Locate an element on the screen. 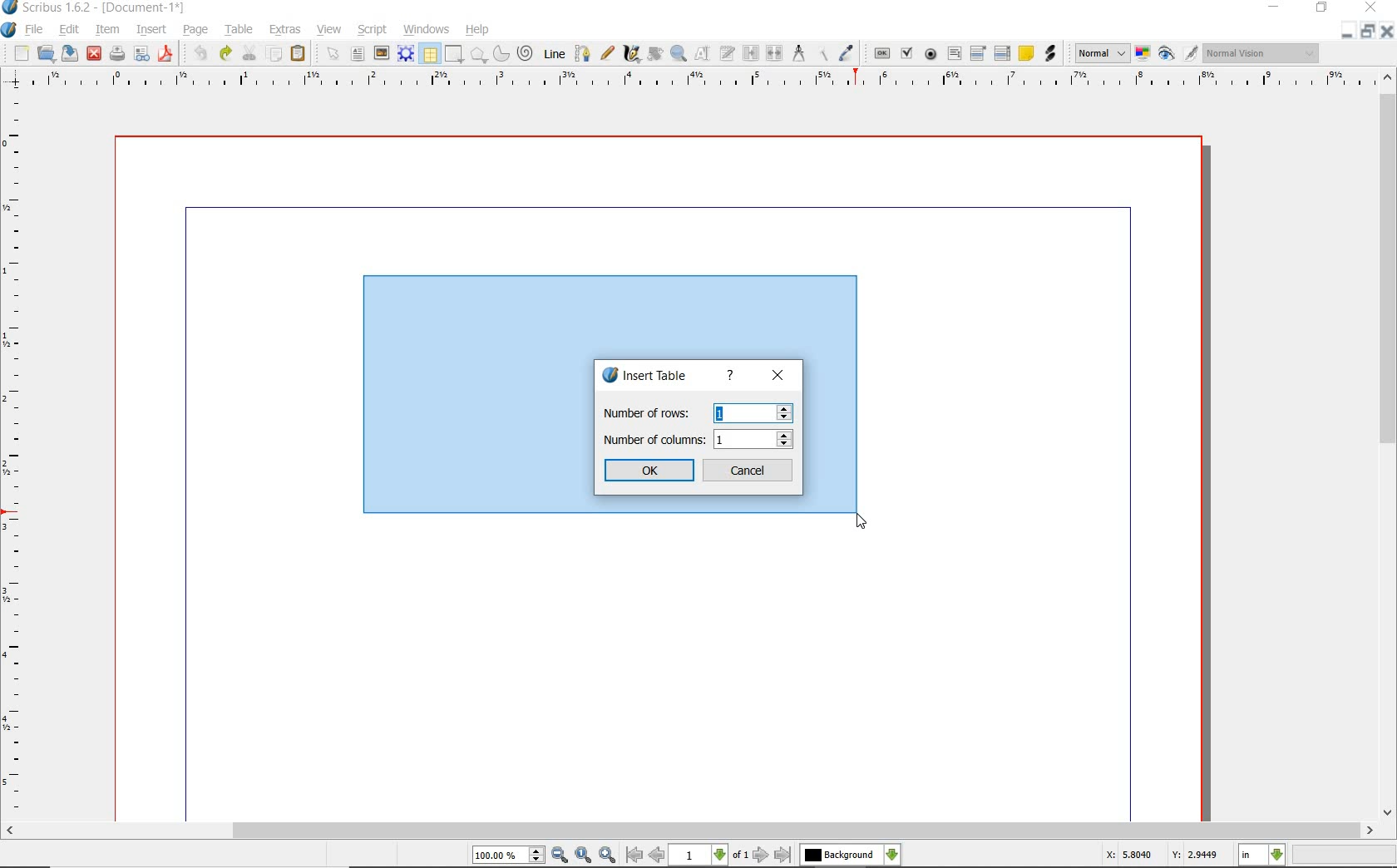 The height and width of the screenshot is (868, 1397). pdf push button is located at coordinates (882, 52).